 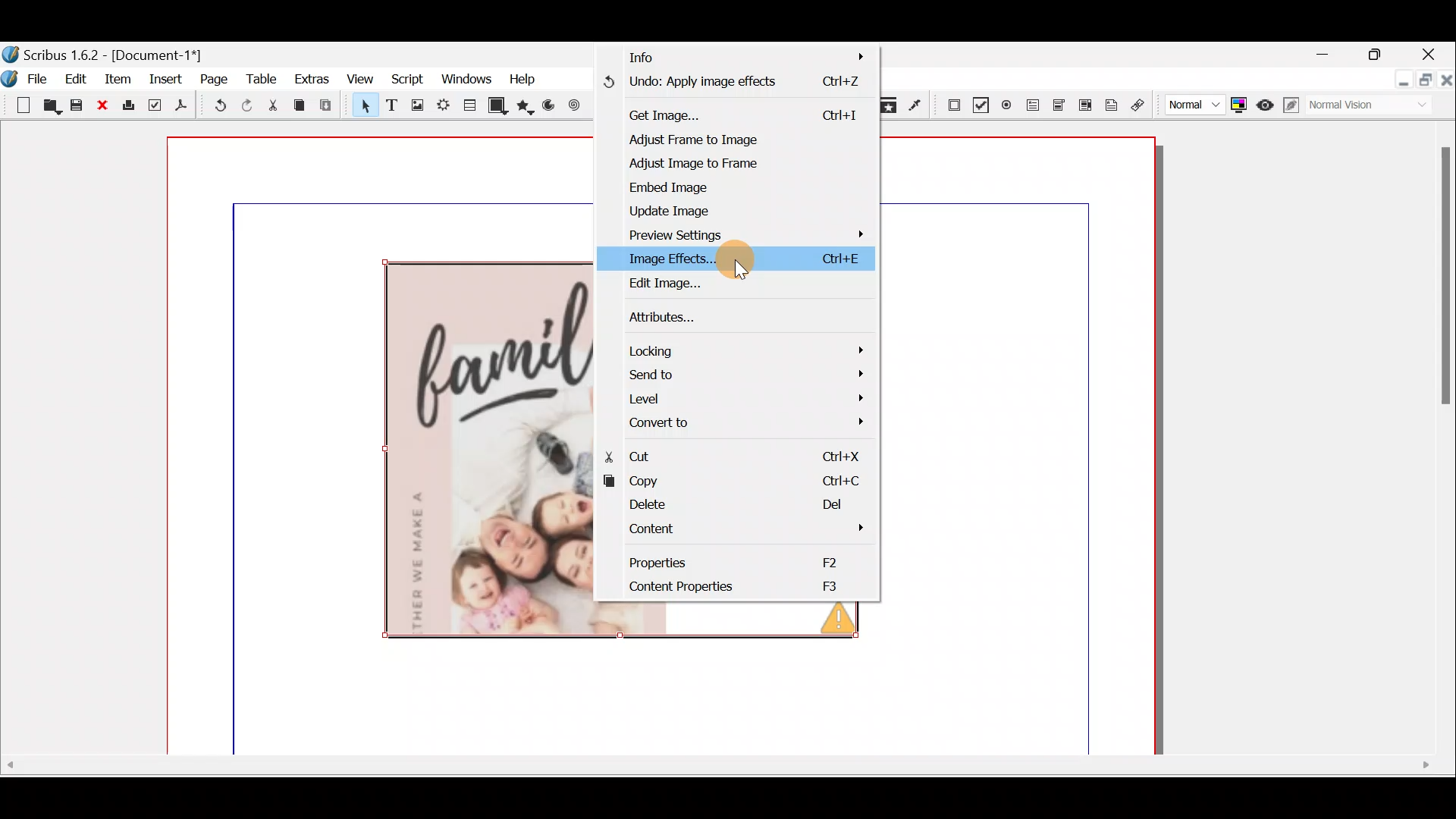 I want to click on Arc, so click(x=550, y=107).